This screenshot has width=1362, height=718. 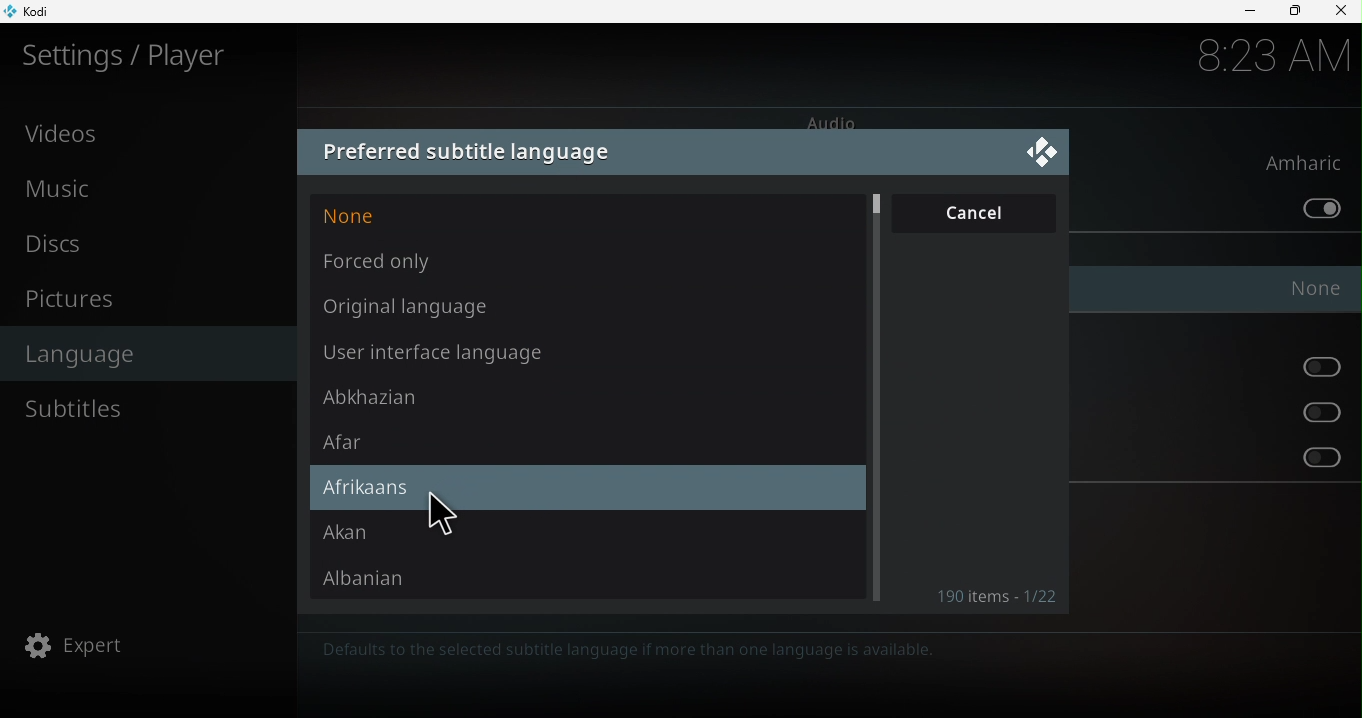 I want to click on Music, so click(x=146, y=188).